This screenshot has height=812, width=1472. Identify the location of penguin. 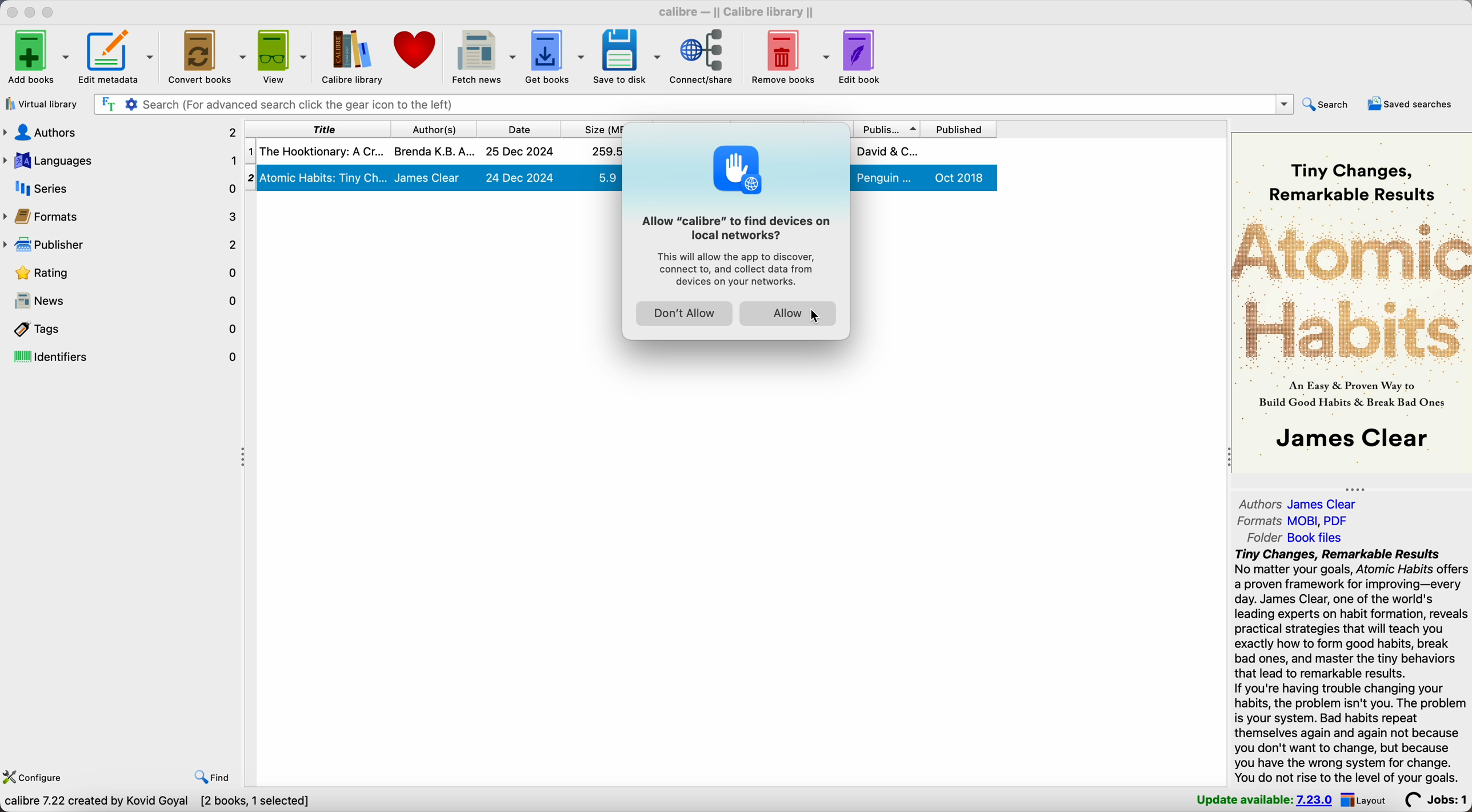
(884, 177).